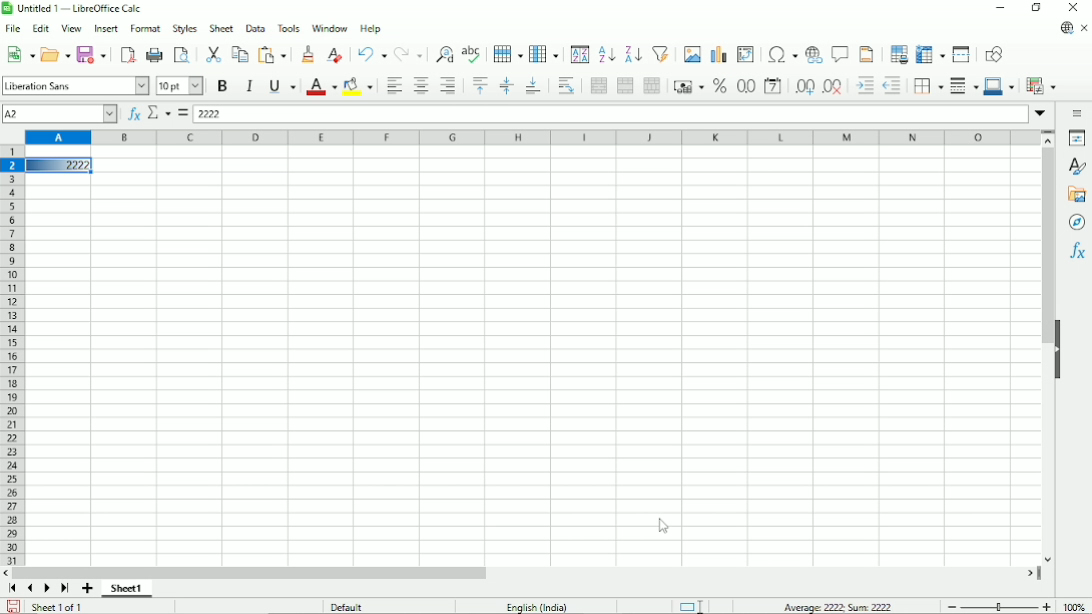 The image size is (1092, 614). I want to click on Zoom in, so click(1046, 606).